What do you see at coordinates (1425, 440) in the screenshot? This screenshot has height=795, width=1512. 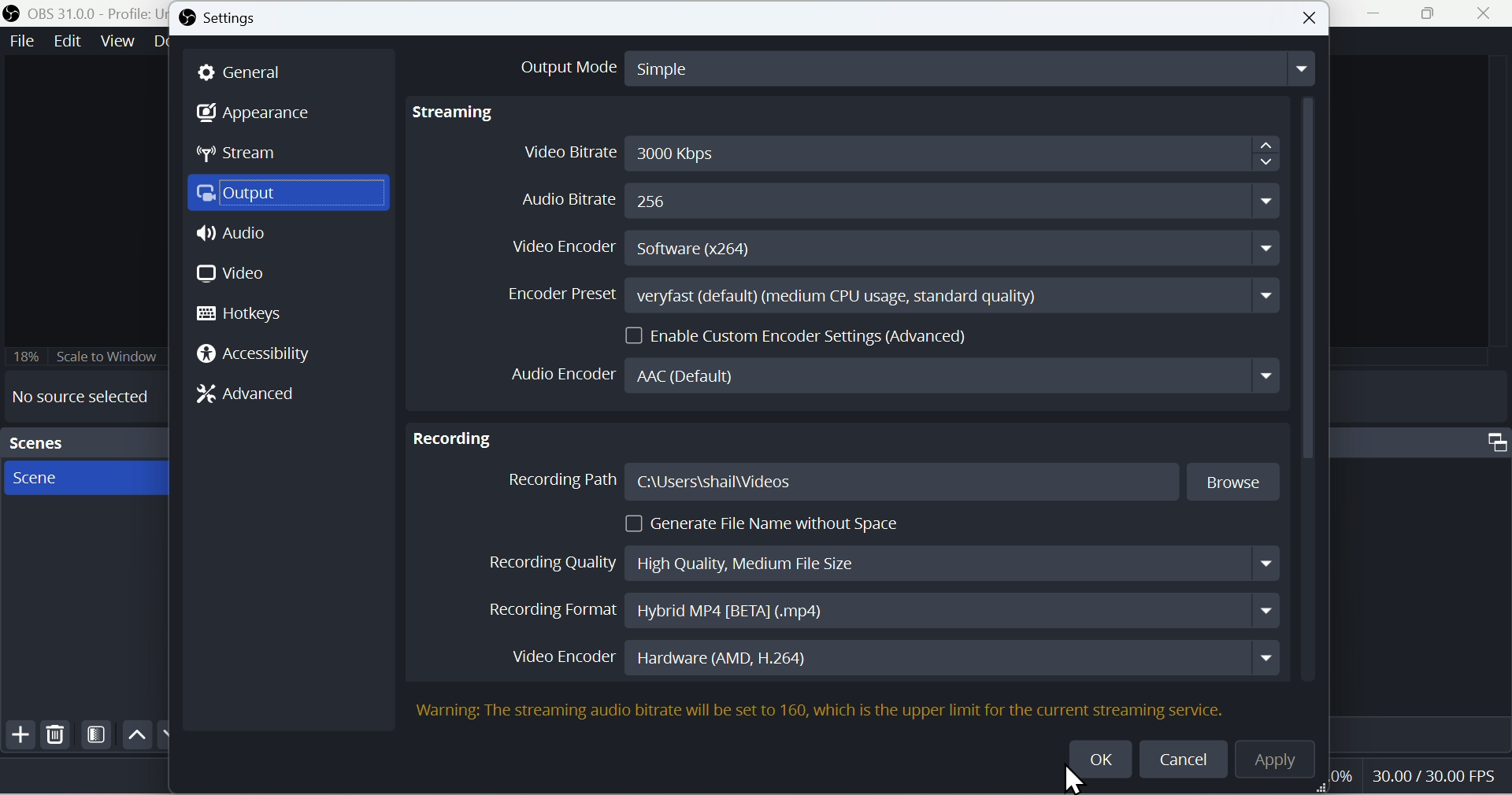 I see `Audio mixer` at bounding box center [1425, 440].